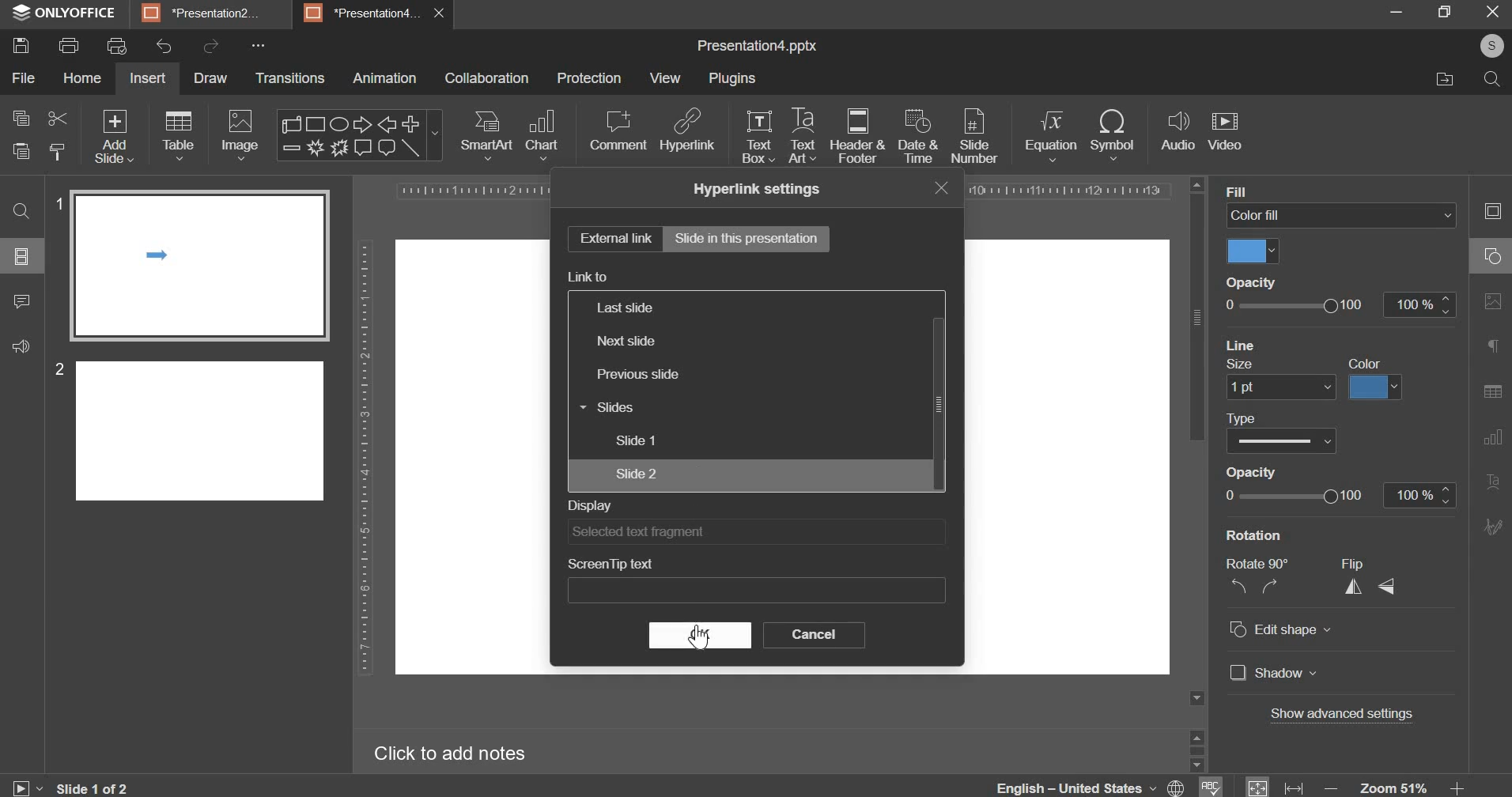 Image resolution: width=1512 pixels, height=797 pixels. Describe the element at coordinates (627, 278) in the screenshot. I see `Display` at that location.